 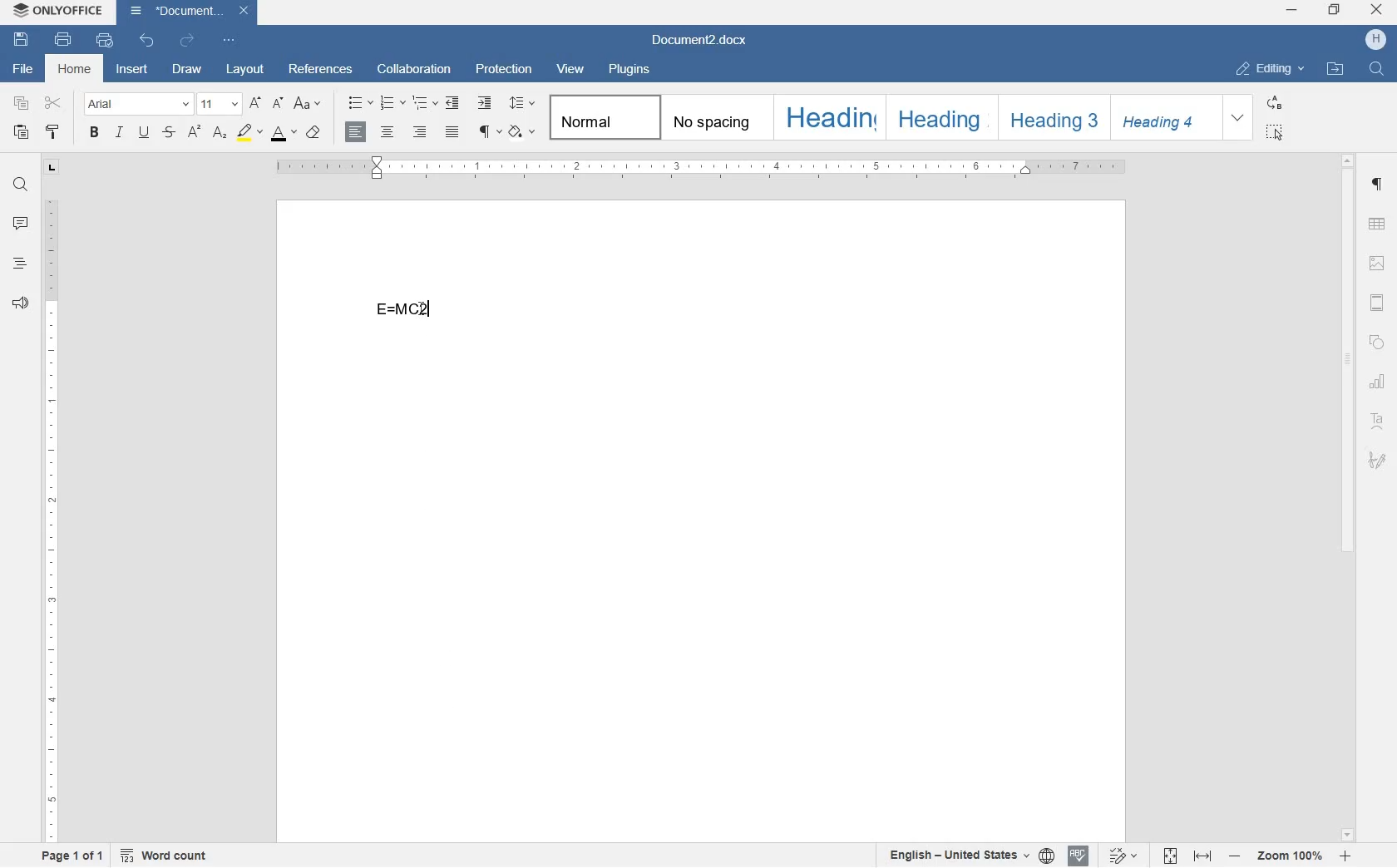 What do you see at coordinates (1379, 462) in the screenshot?
I see `signature` at bounding box center [1379, 462].